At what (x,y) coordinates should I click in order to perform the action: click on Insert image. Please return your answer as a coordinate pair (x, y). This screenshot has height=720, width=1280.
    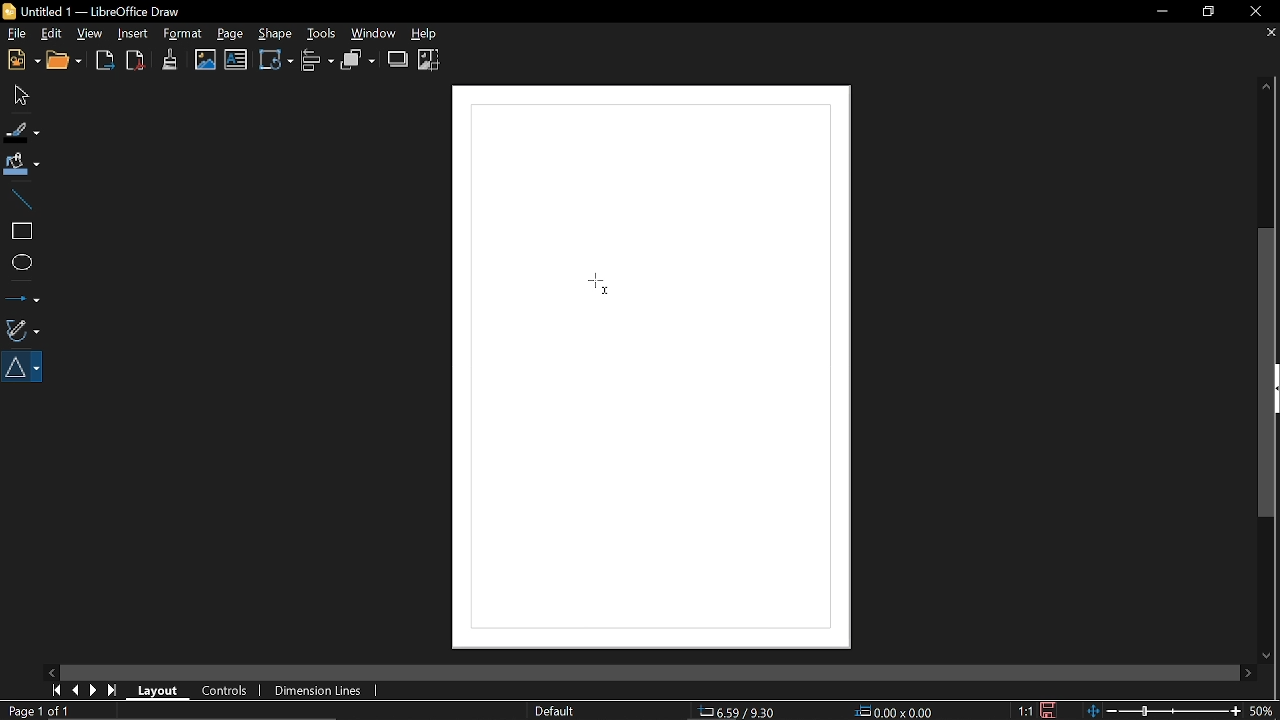
    Looking at the image, I should click on (236, 60).